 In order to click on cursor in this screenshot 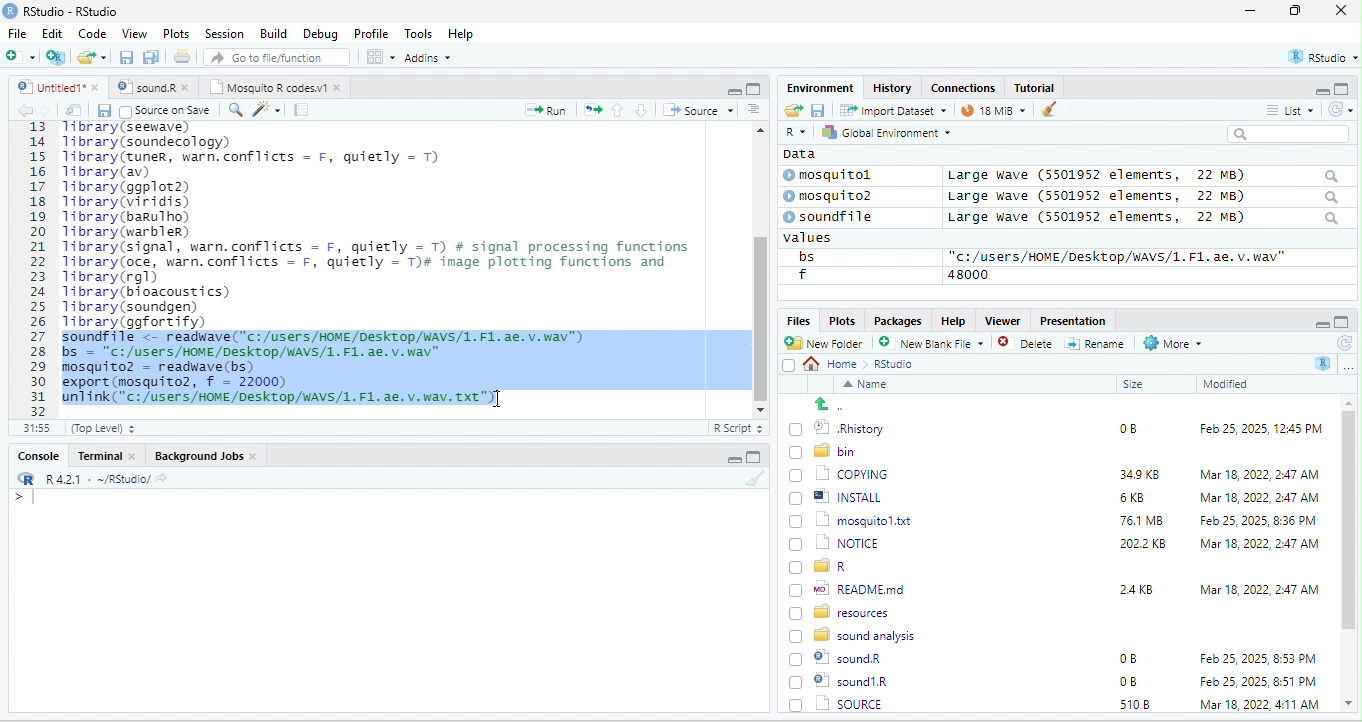, I will do `click(494, 400)`.